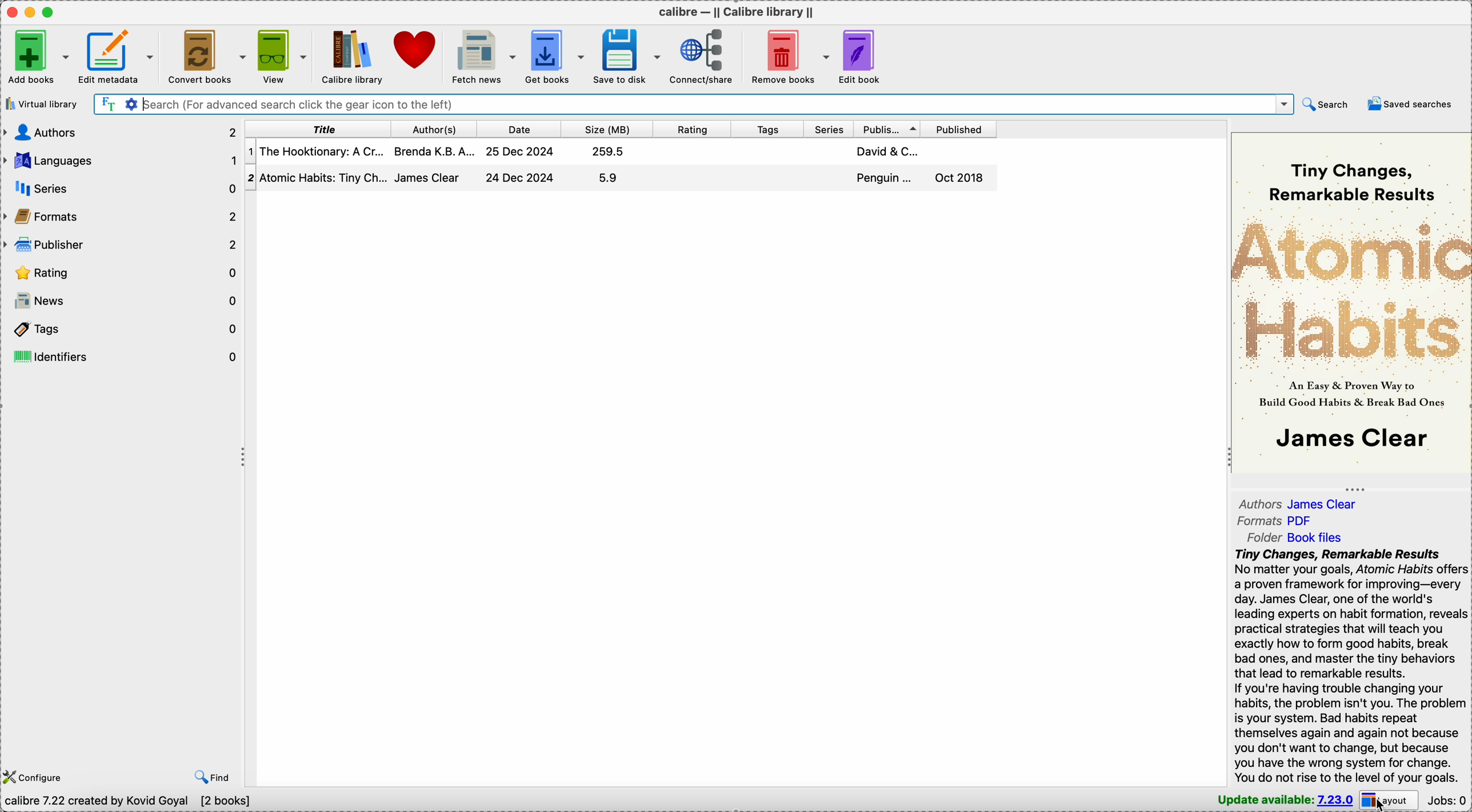 This screenshot has height=812, width=1472. I want to click on toggle expand/contract, so click(1230, 458).